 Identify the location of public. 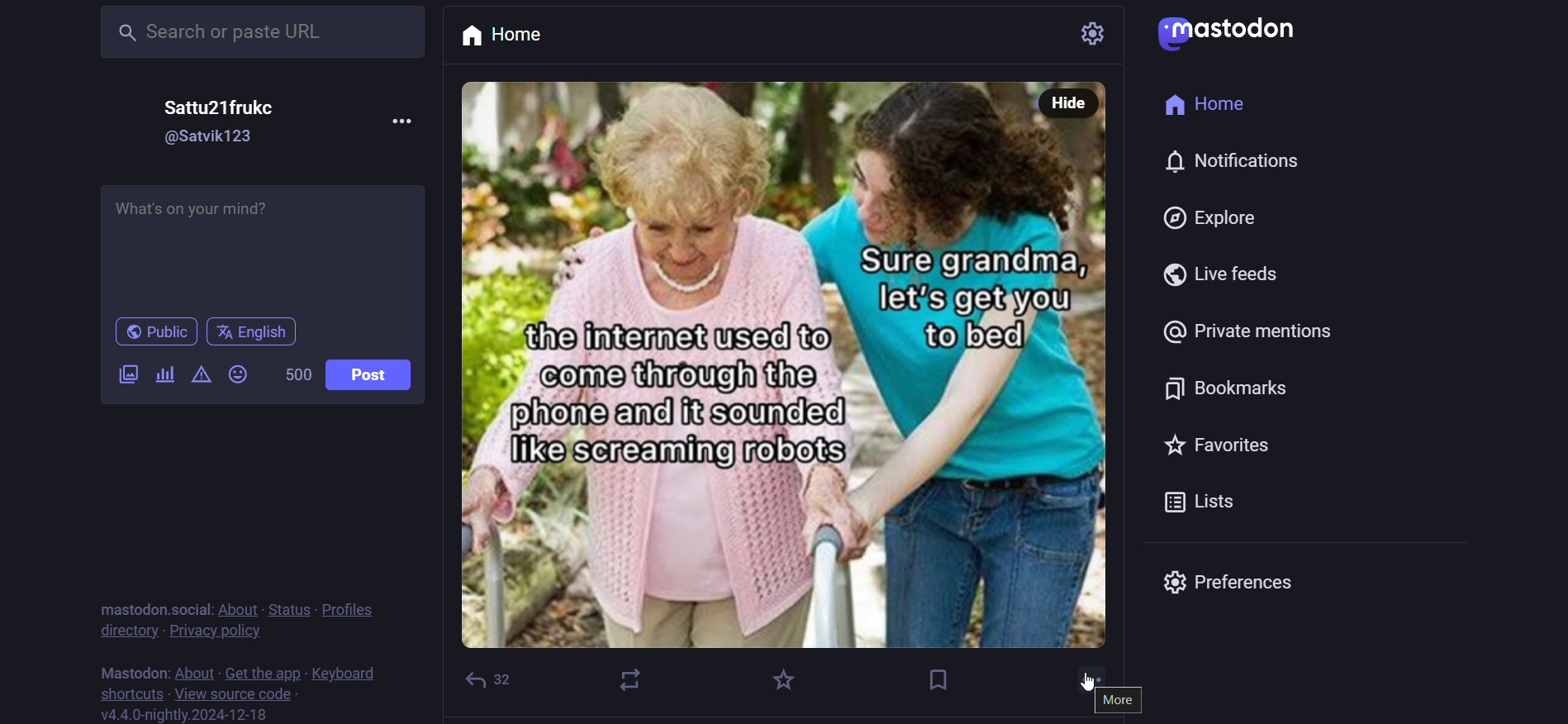
(152, 331).